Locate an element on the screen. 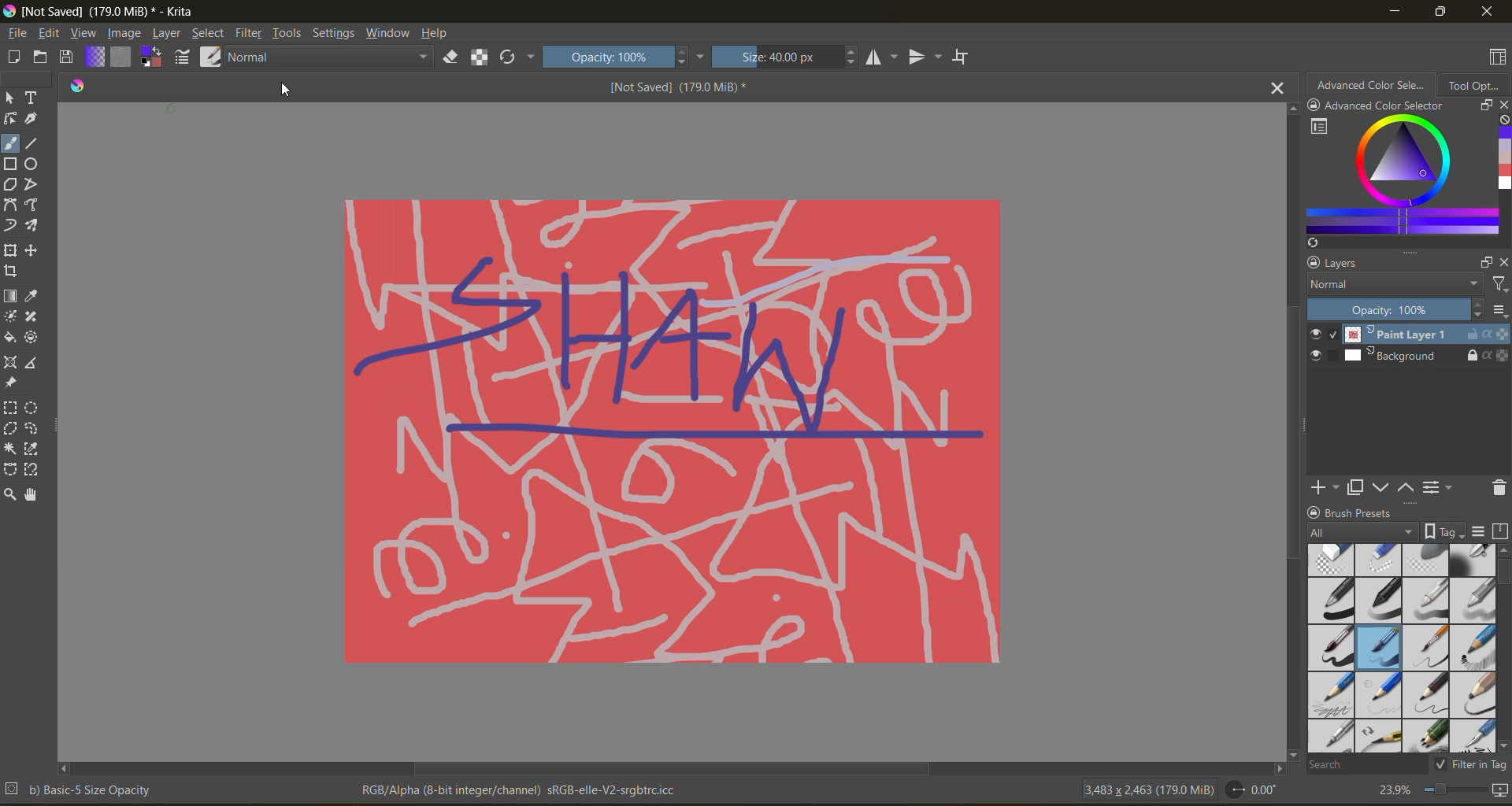 Image resolution: width=1512 pixels, height=806 pixels. Advanced color selector is located at coordinates (1388, 106).